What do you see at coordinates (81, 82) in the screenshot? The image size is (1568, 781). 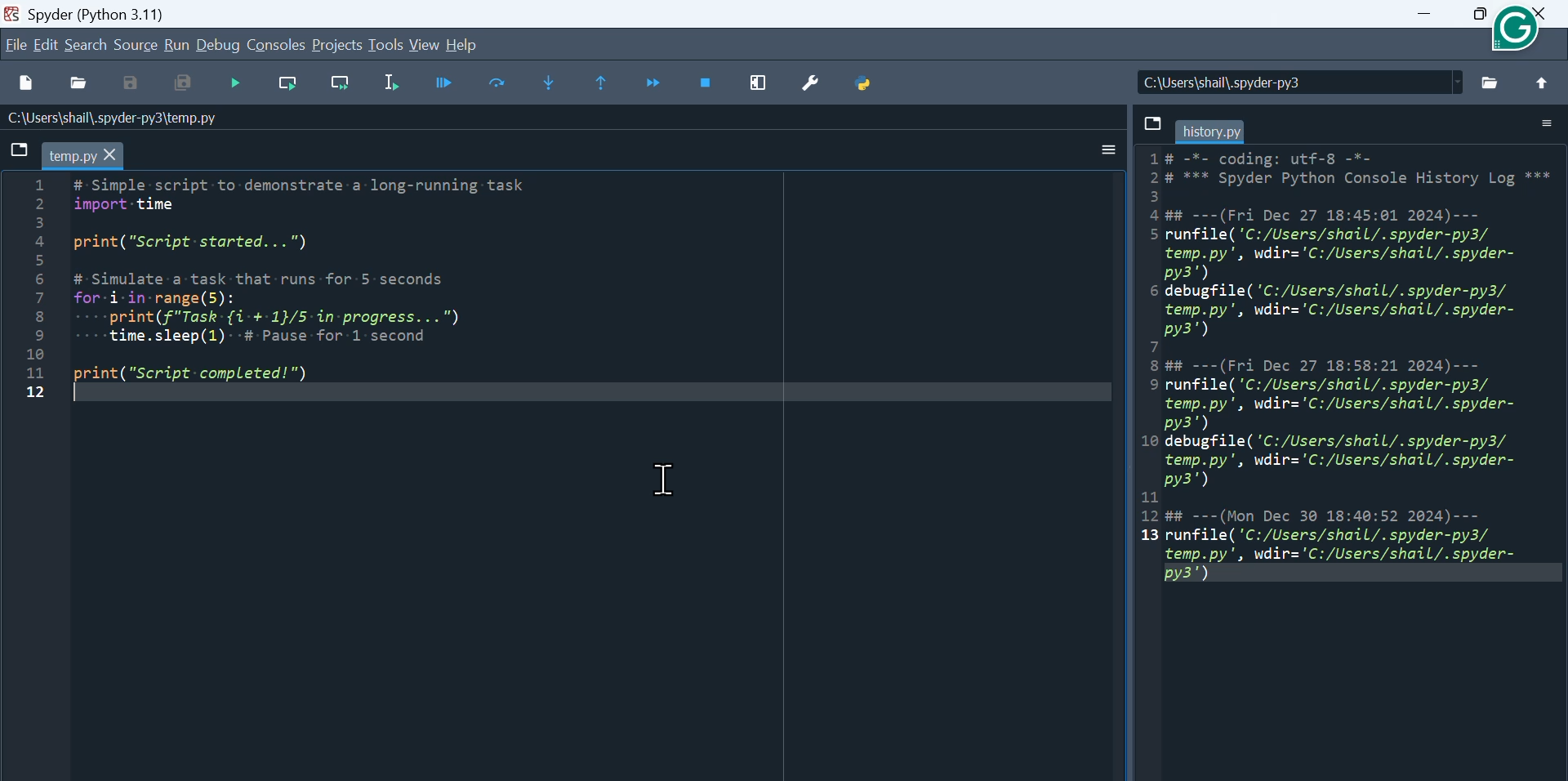 I see `Open File` at bounding box center [81, 82].